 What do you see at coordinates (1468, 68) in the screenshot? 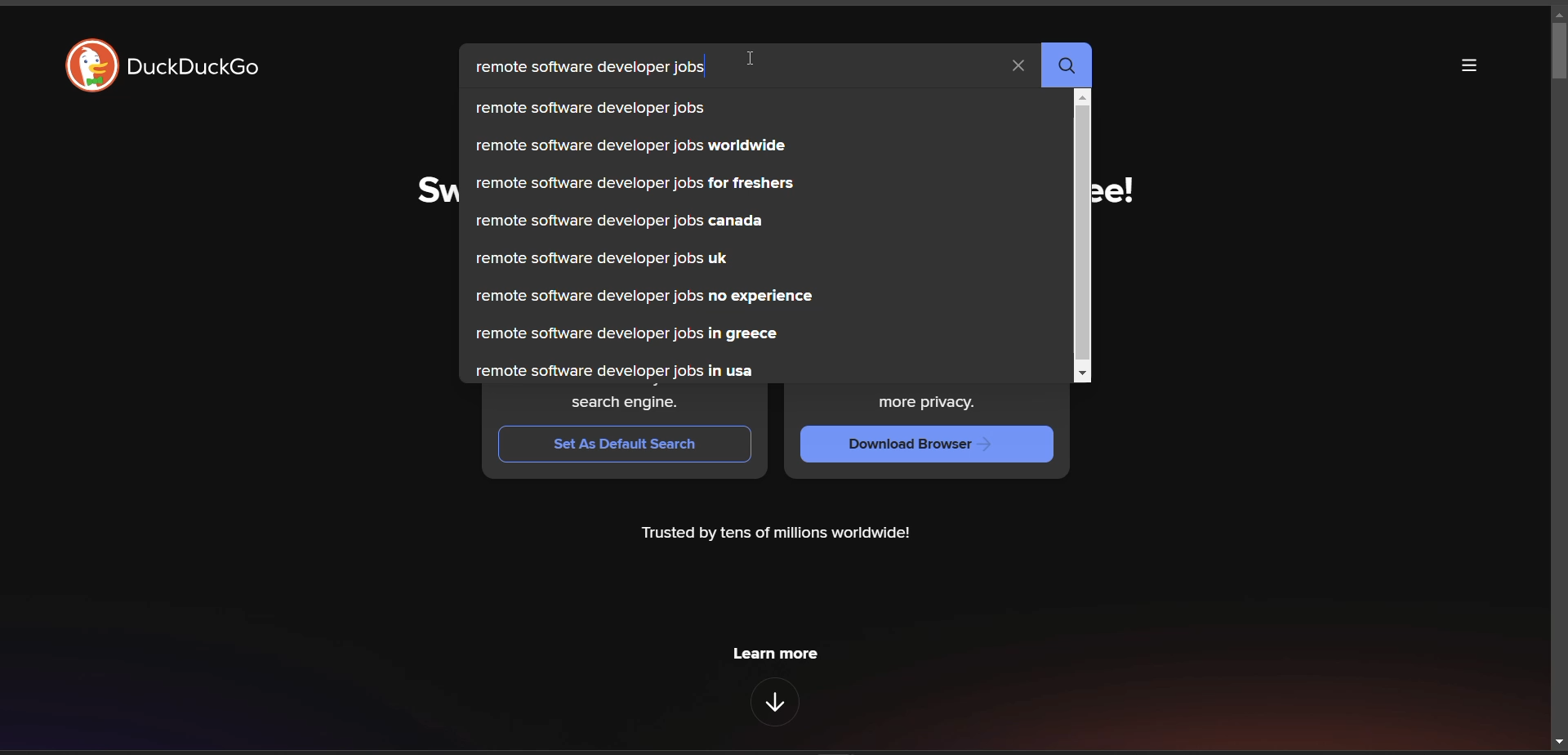
I see `more options` at bounding box center [1468, 68].